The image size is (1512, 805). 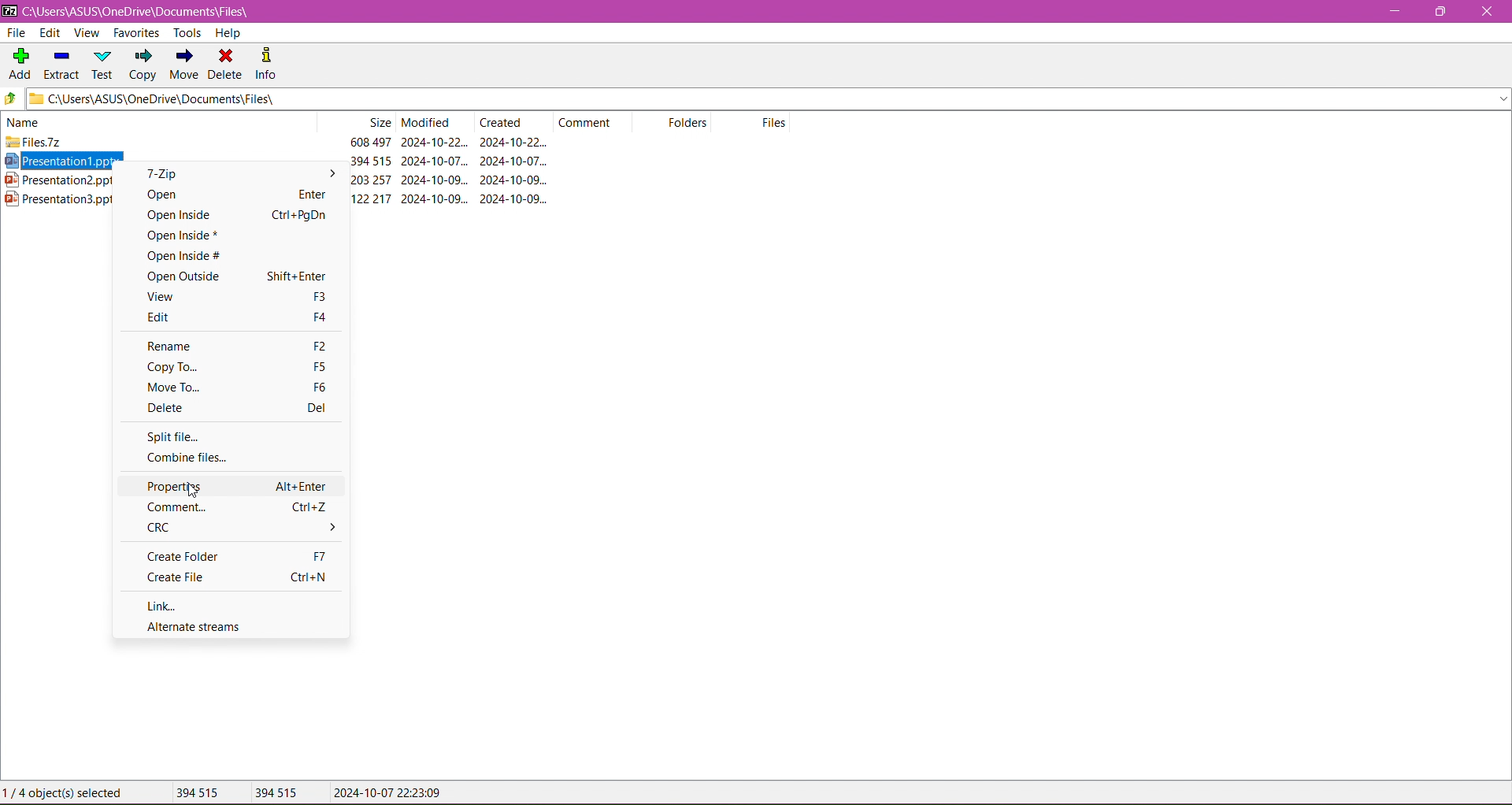 I want to click on Test, so click(x=104, y=65).